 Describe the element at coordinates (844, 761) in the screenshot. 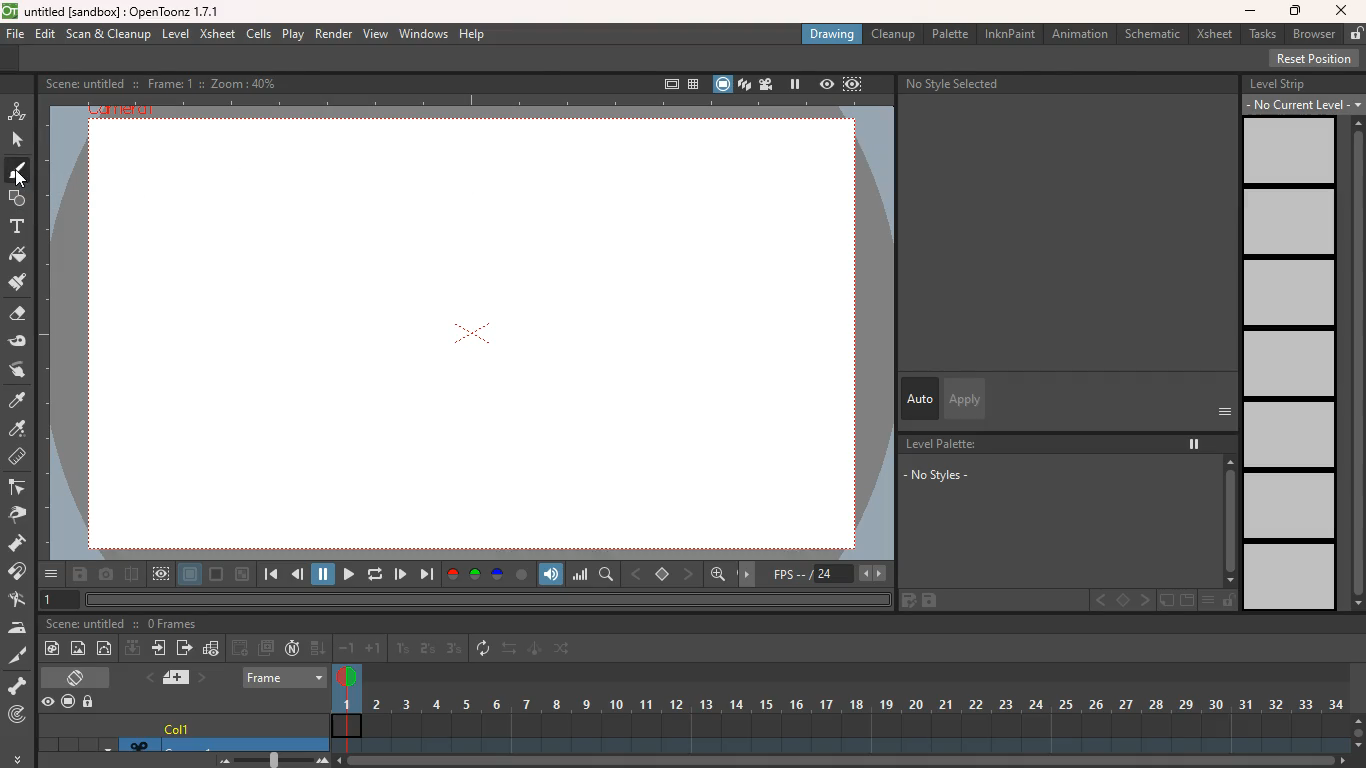

I see `zoom` at that location.